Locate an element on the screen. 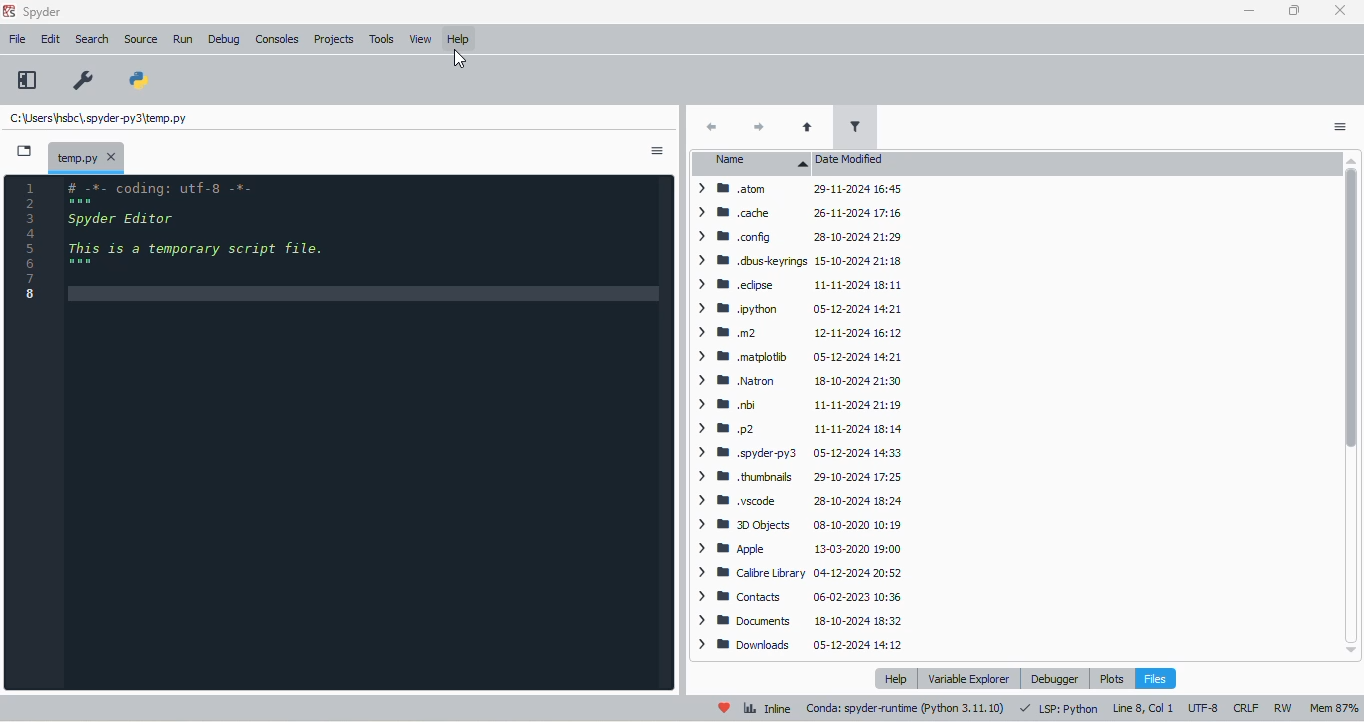 The height and width of the screenshot is (722, 1364). vertical scroll bar is located at coordinates (1352, 404).